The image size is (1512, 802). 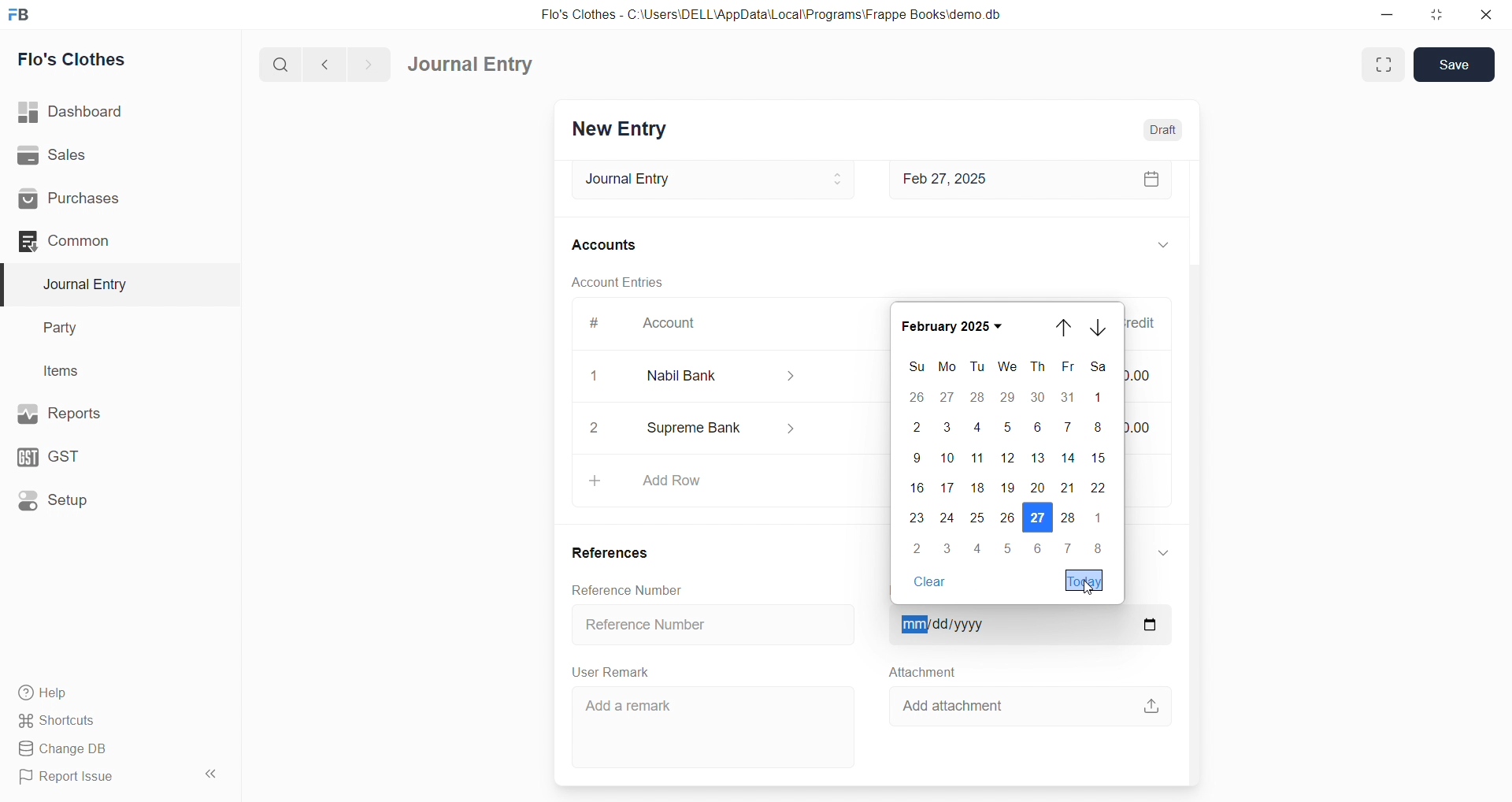 I want to click on Save, so click(x=1455, y=65).